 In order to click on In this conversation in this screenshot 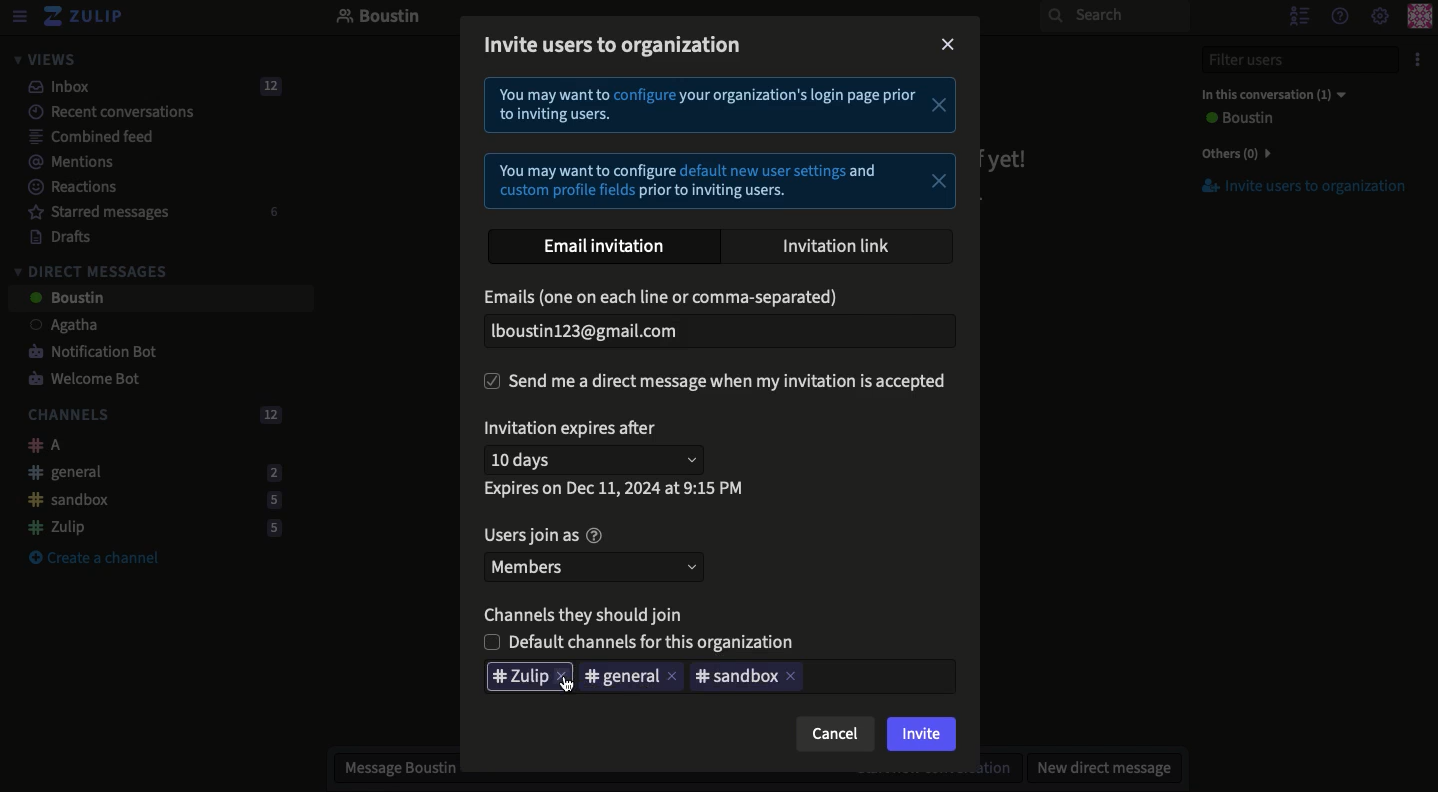, I will do `click(1269, 94)`.